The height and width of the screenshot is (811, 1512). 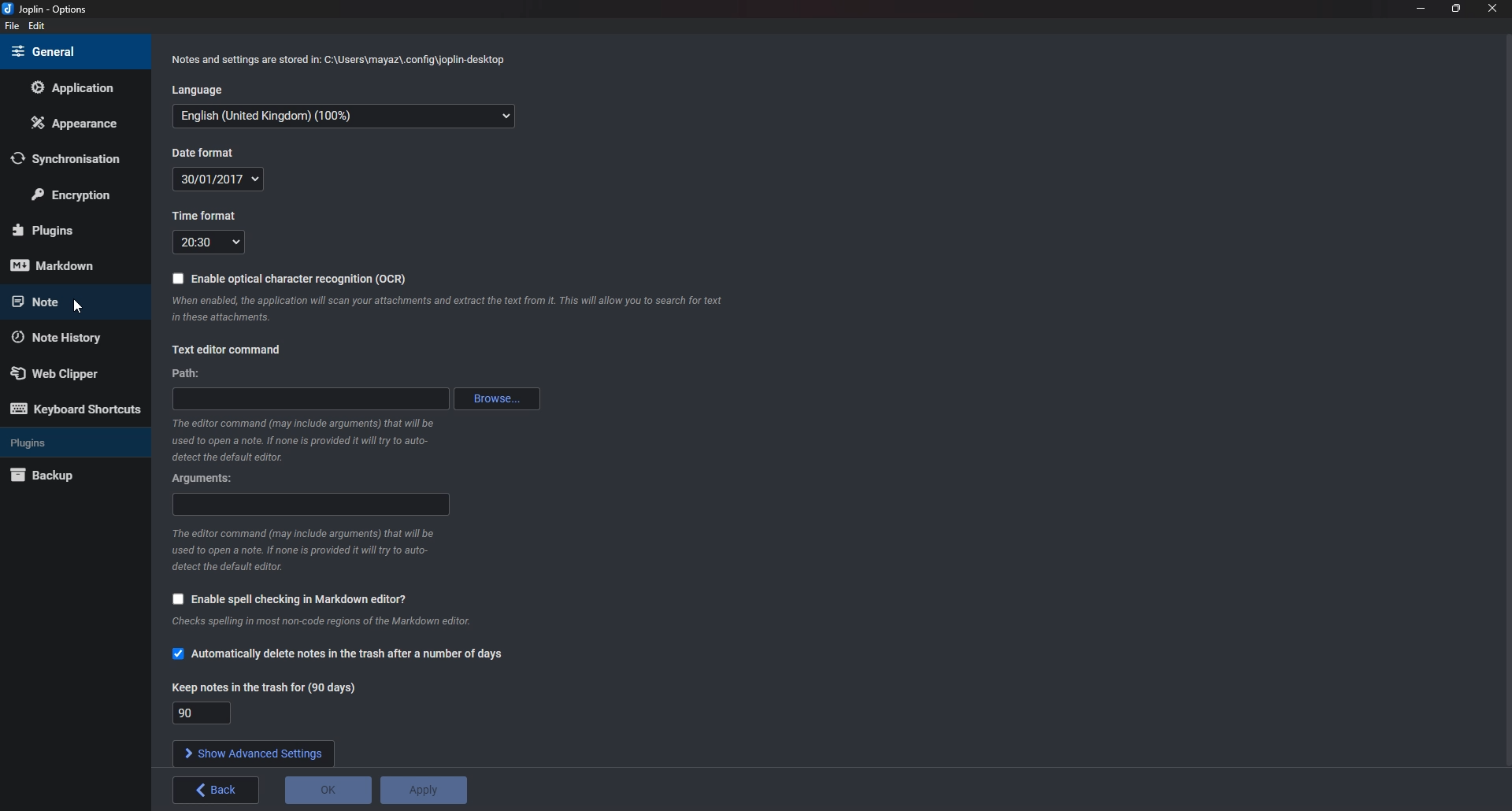 What do you see at coordinates (1492, 10) in the screenshot?
I see `close` at bounding box center [1492, 10].